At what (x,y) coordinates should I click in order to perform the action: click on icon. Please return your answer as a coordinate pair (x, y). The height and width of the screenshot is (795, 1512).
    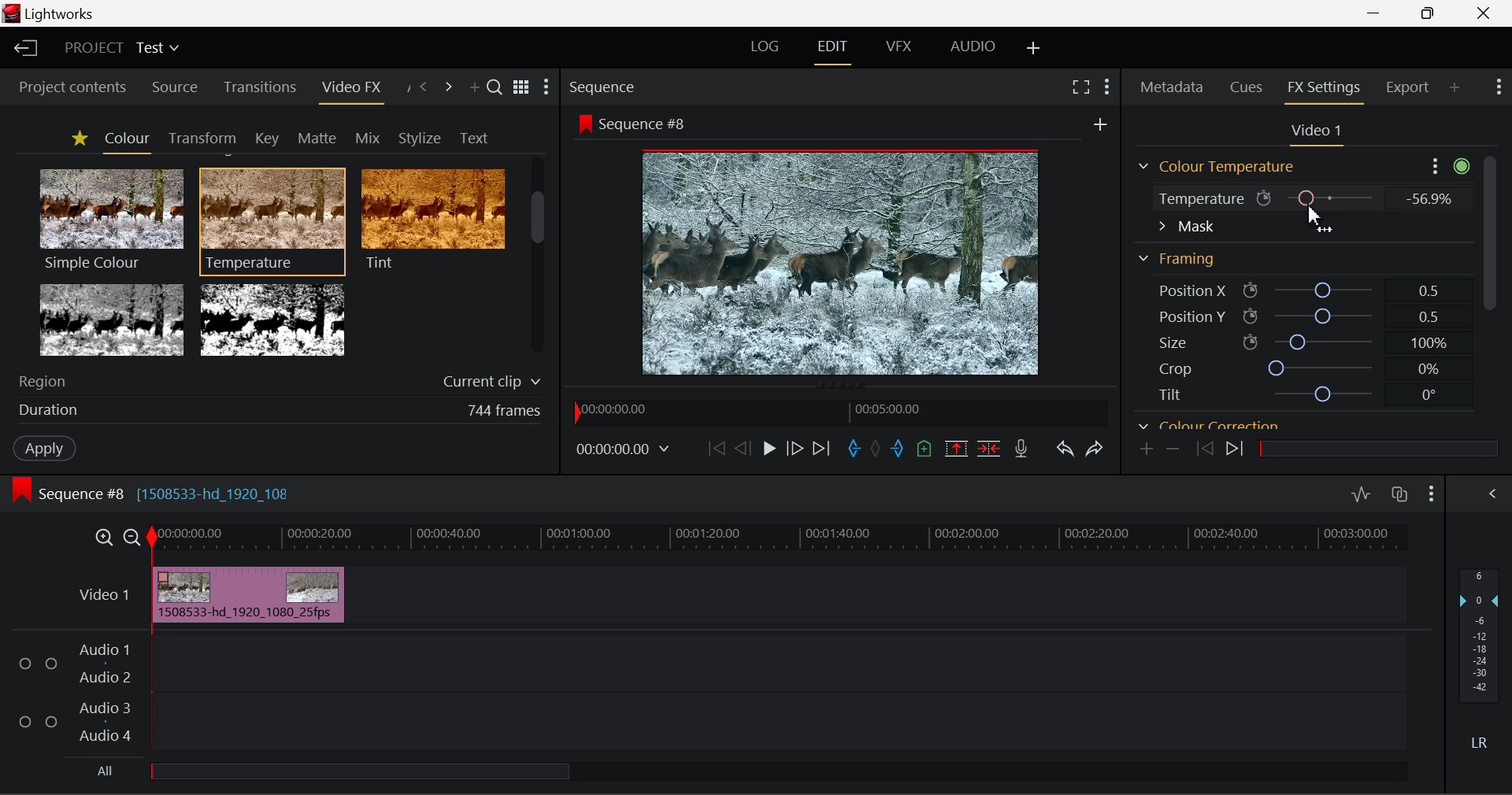
    Looking at the image, I should click on (22, 490).